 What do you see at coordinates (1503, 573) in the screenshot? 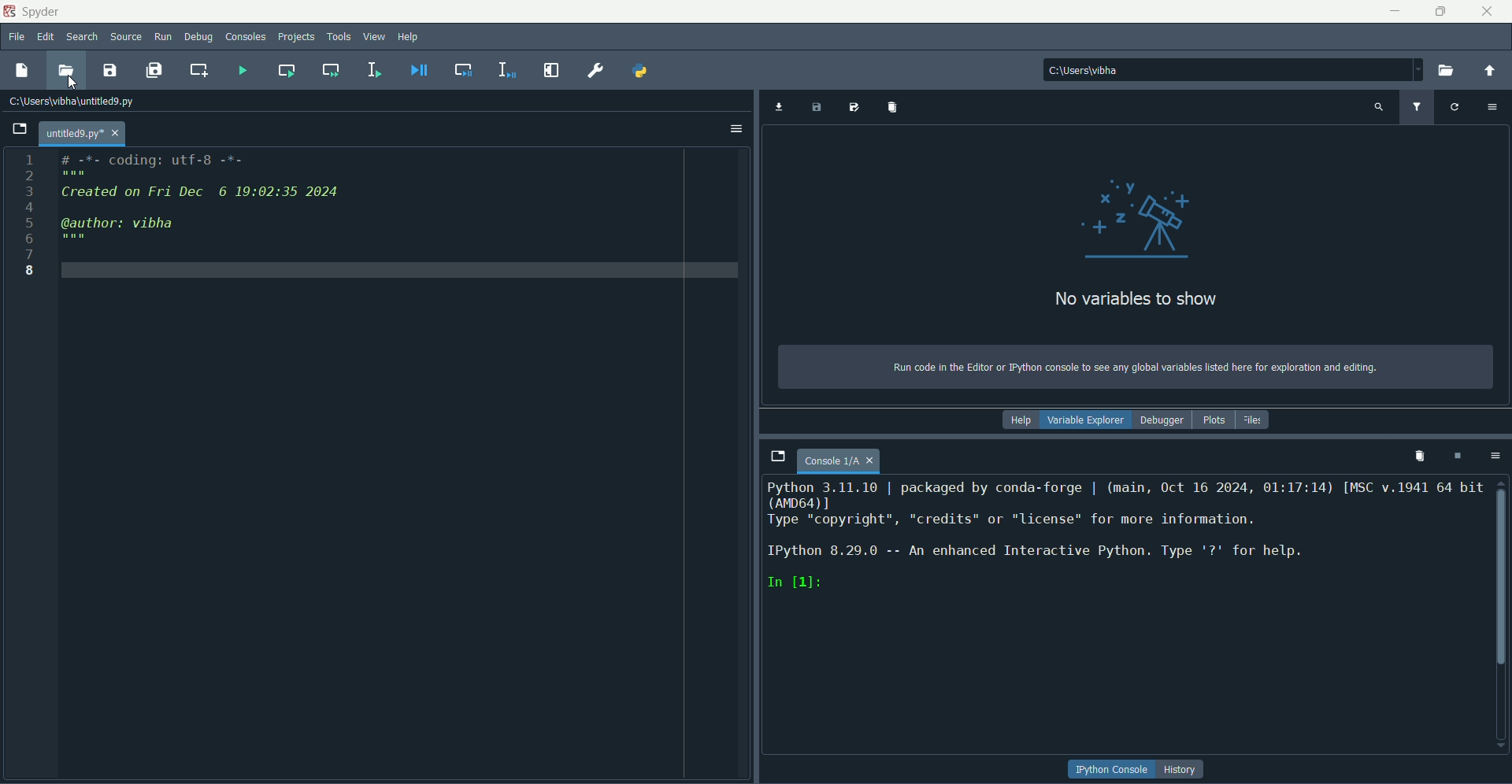
I see `scroll bar` at bounding box center [1503, 573].